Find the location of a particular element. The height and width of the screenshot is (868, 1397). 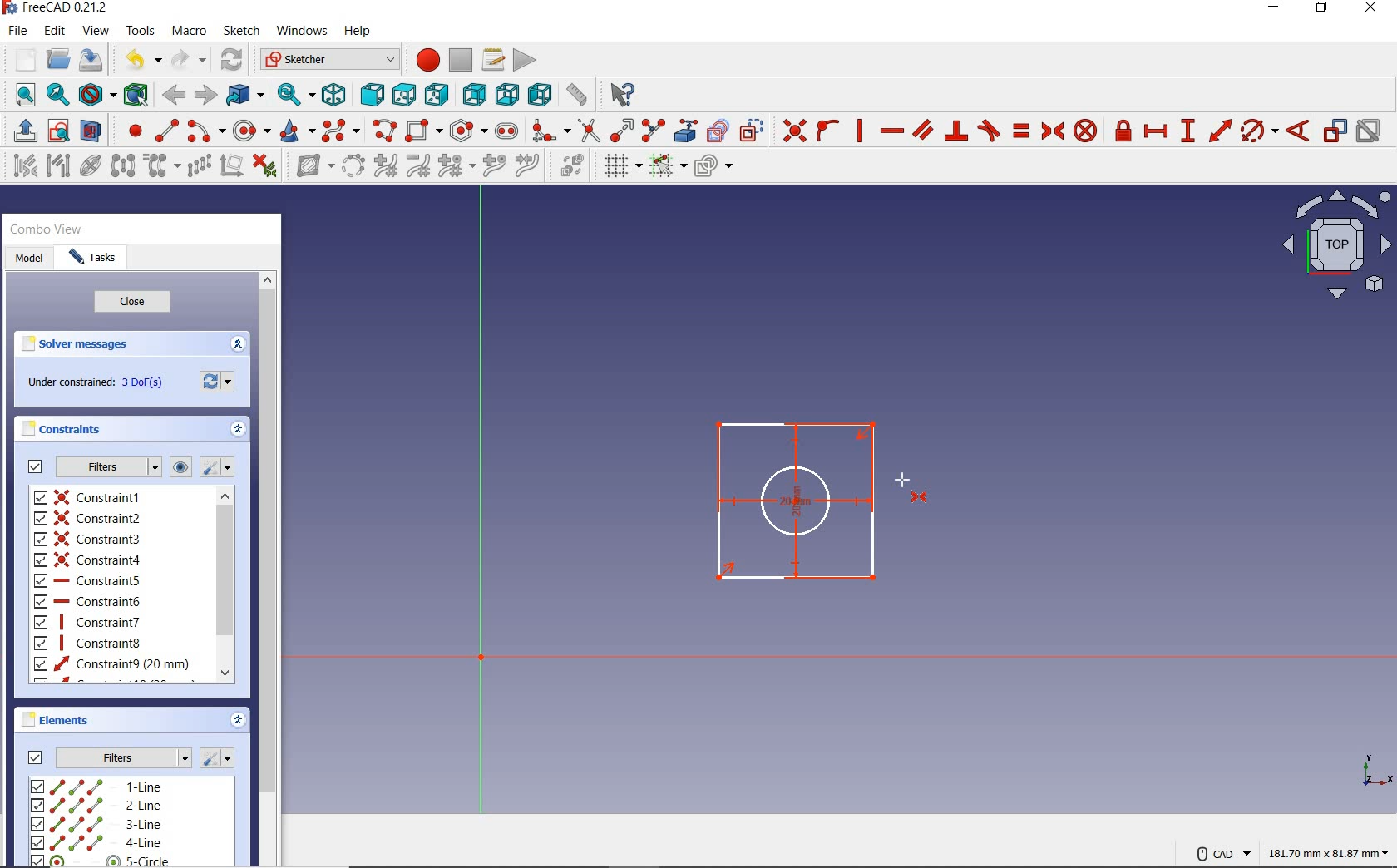

close is located at coordinates (140, 303).